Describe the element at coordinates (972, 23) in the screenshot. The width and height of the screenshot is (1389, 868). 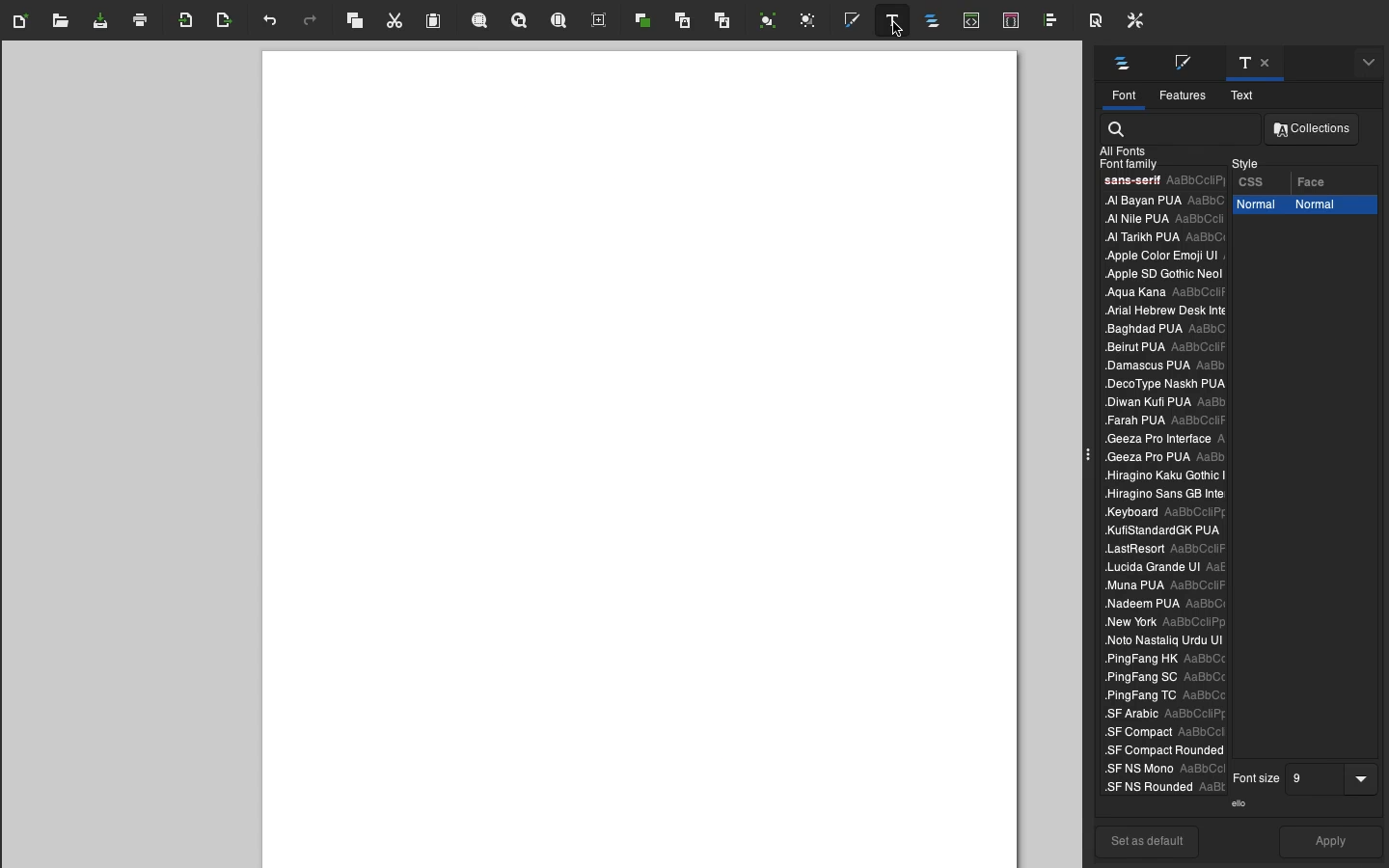
I see `XML editor` at that location.